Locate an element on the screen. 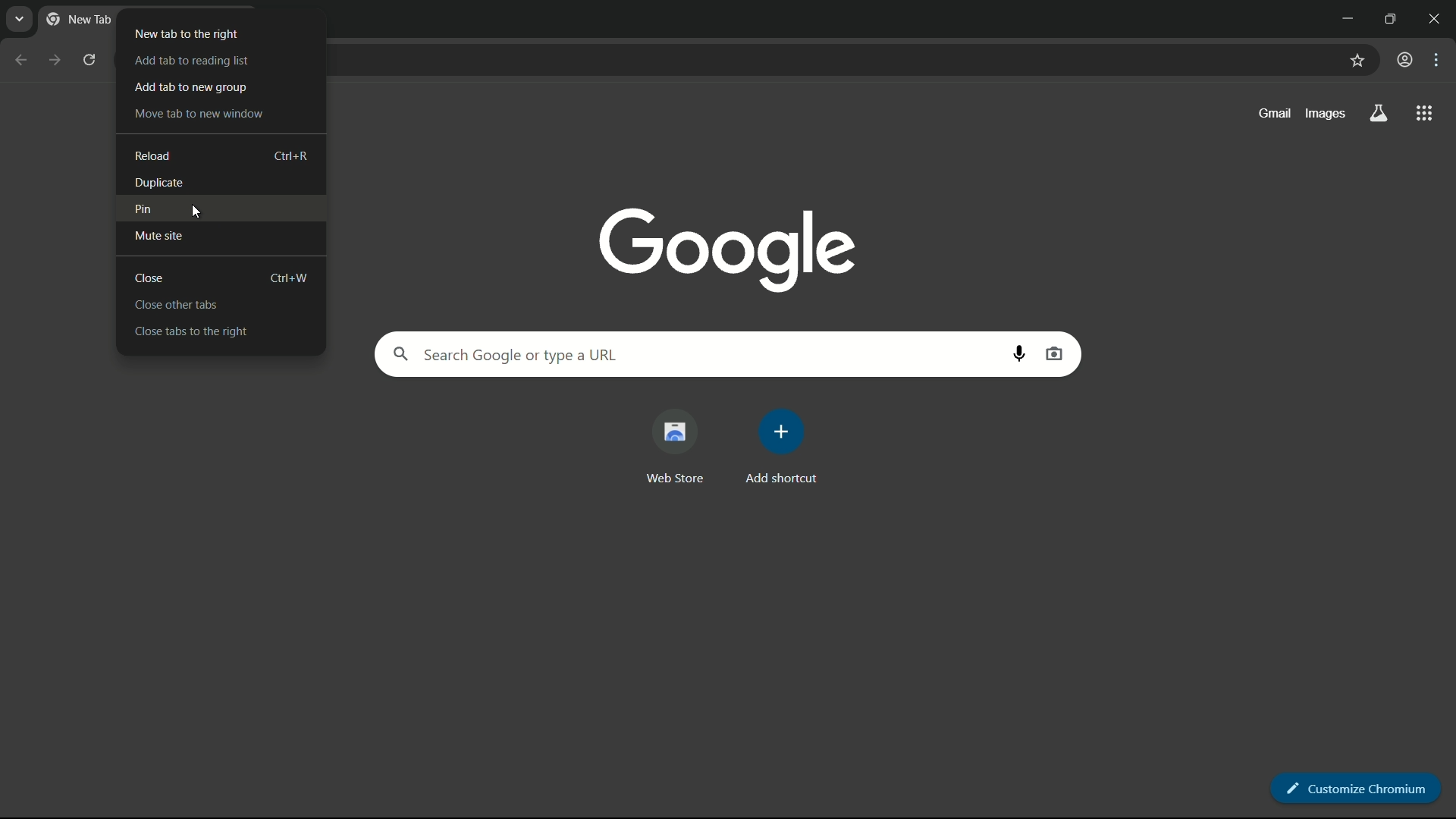  gmail is located at coordinates (1276, 113).